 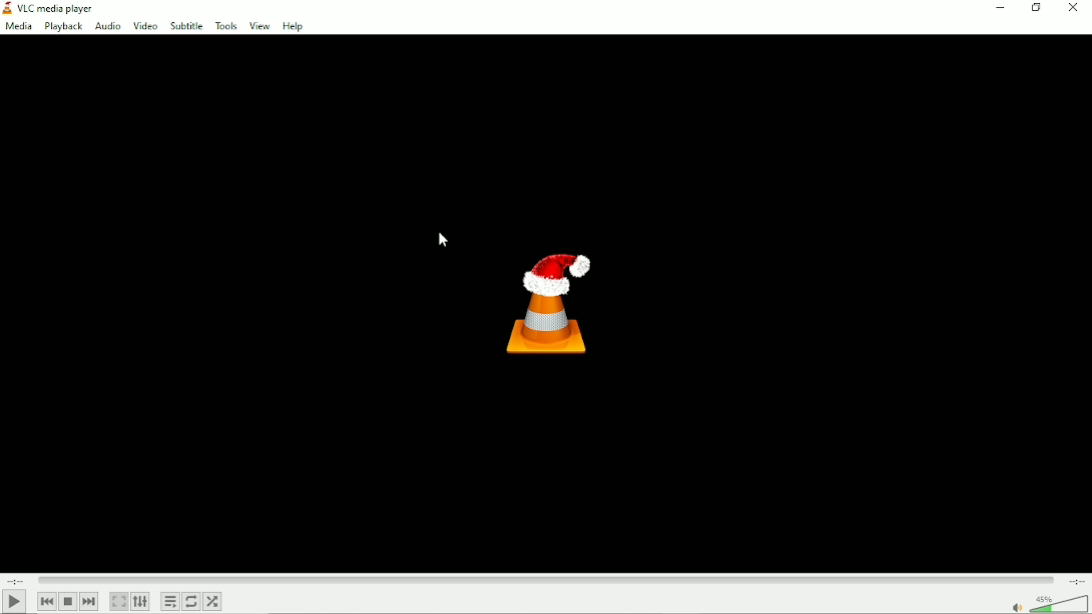 I want to click on Cursor, so click(x=445, y=241).